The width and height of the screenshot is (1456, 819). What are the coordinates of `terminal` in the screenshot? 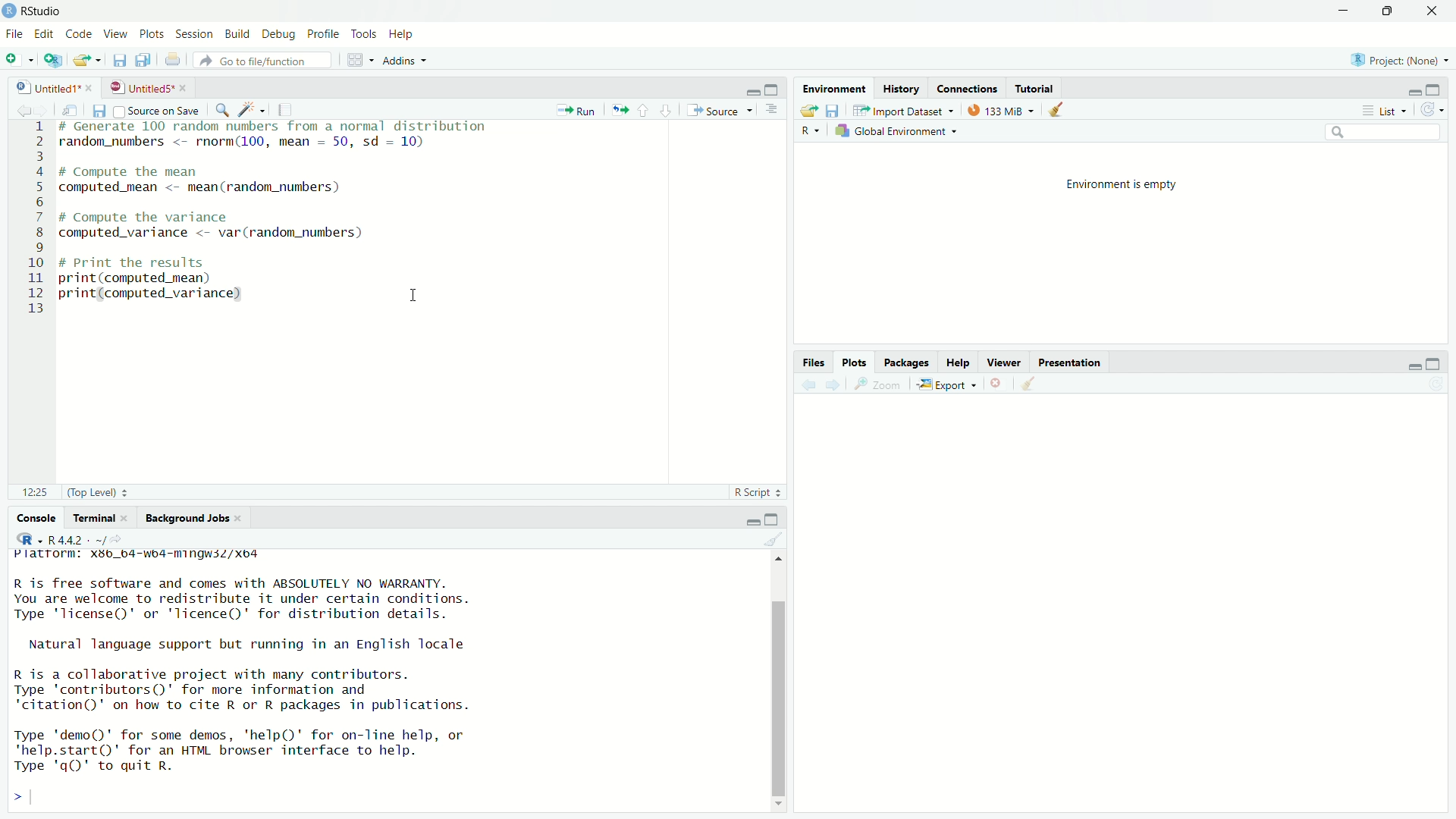 It's located at (90, 516).